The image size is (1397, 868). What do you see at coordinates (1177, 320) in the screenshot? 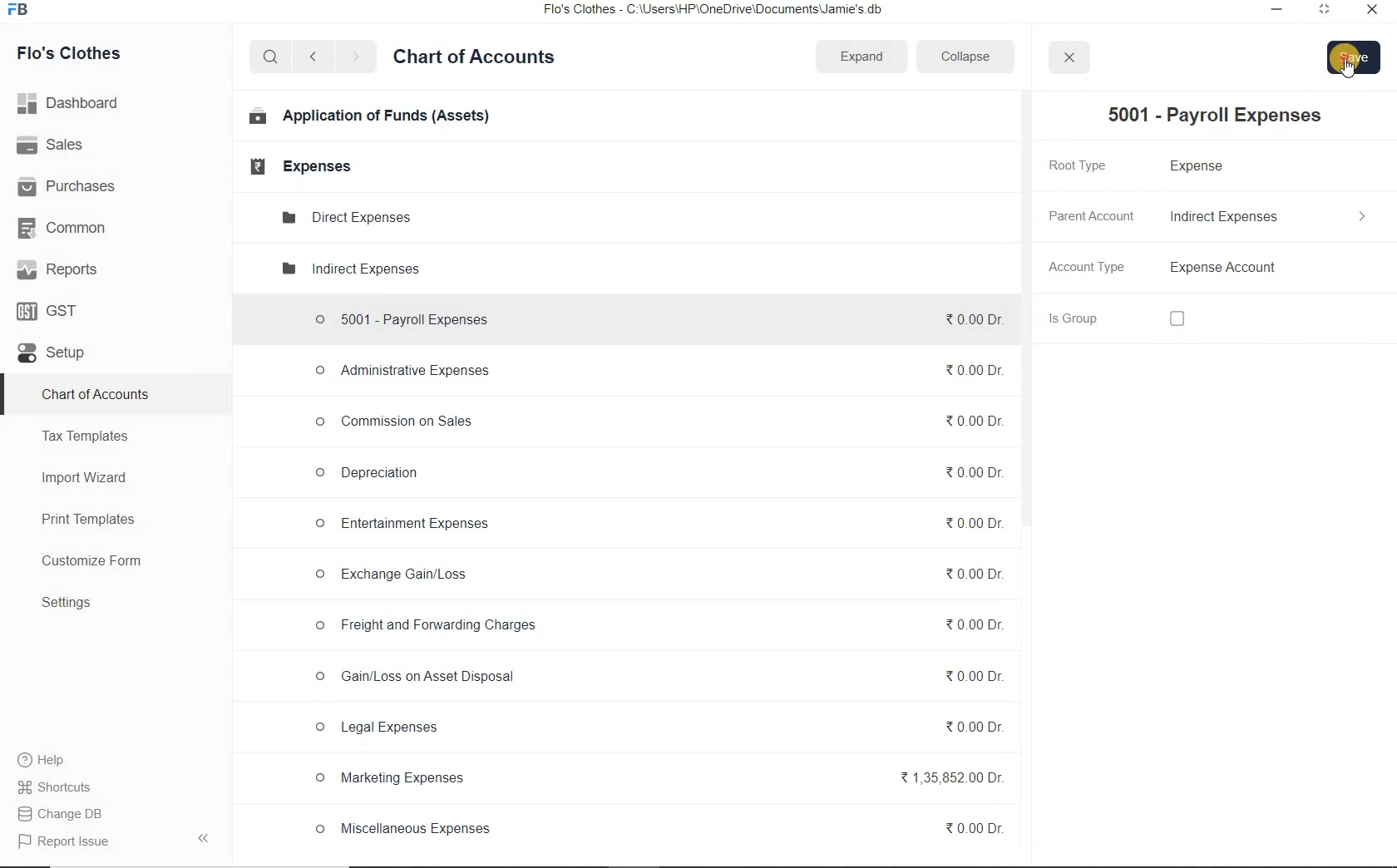
I see `checkbox` at bounding box center [1177, 320].